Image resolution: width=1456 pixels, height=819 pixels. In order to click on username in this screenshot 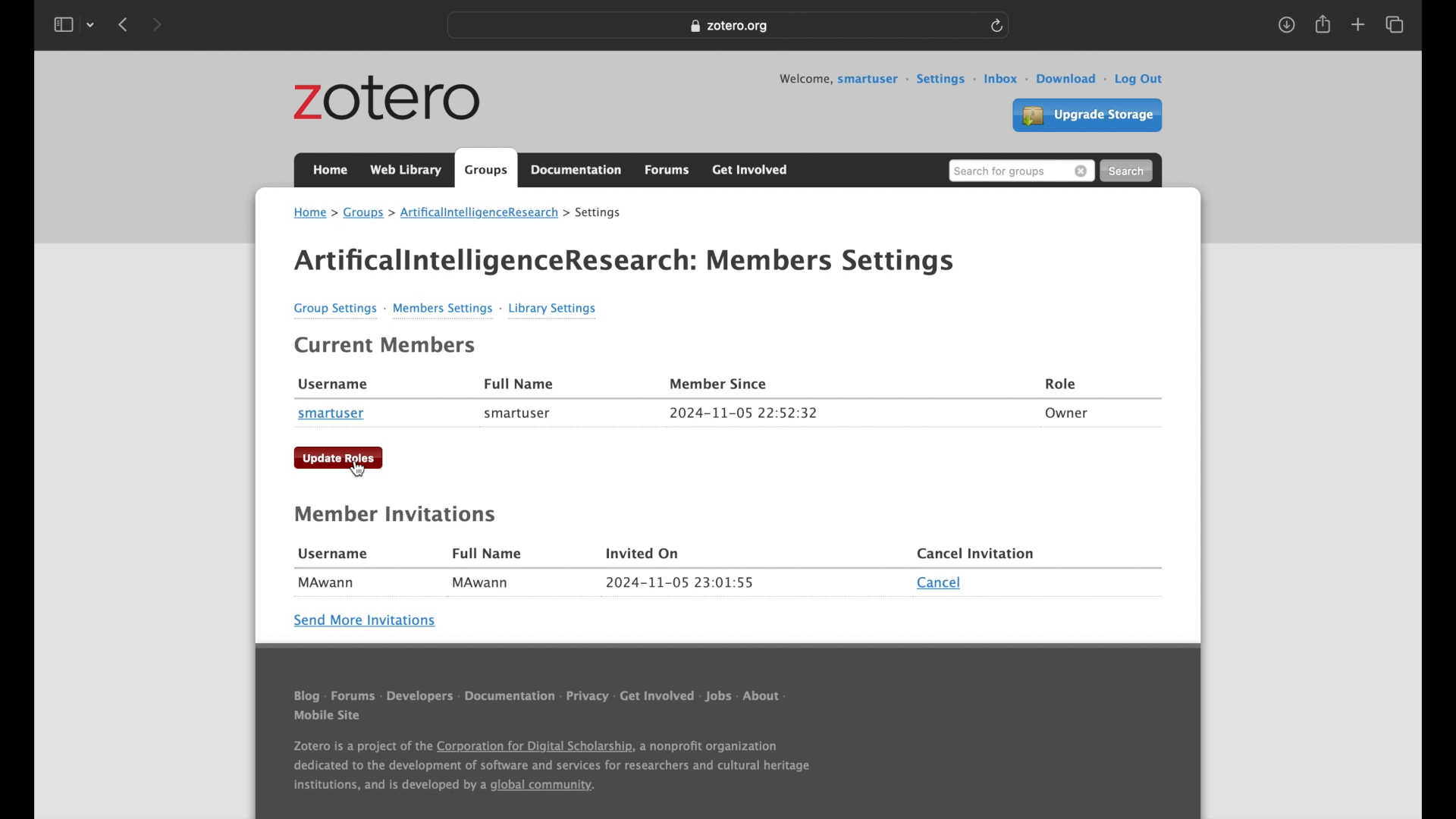, I will do `click(333, 555)`.